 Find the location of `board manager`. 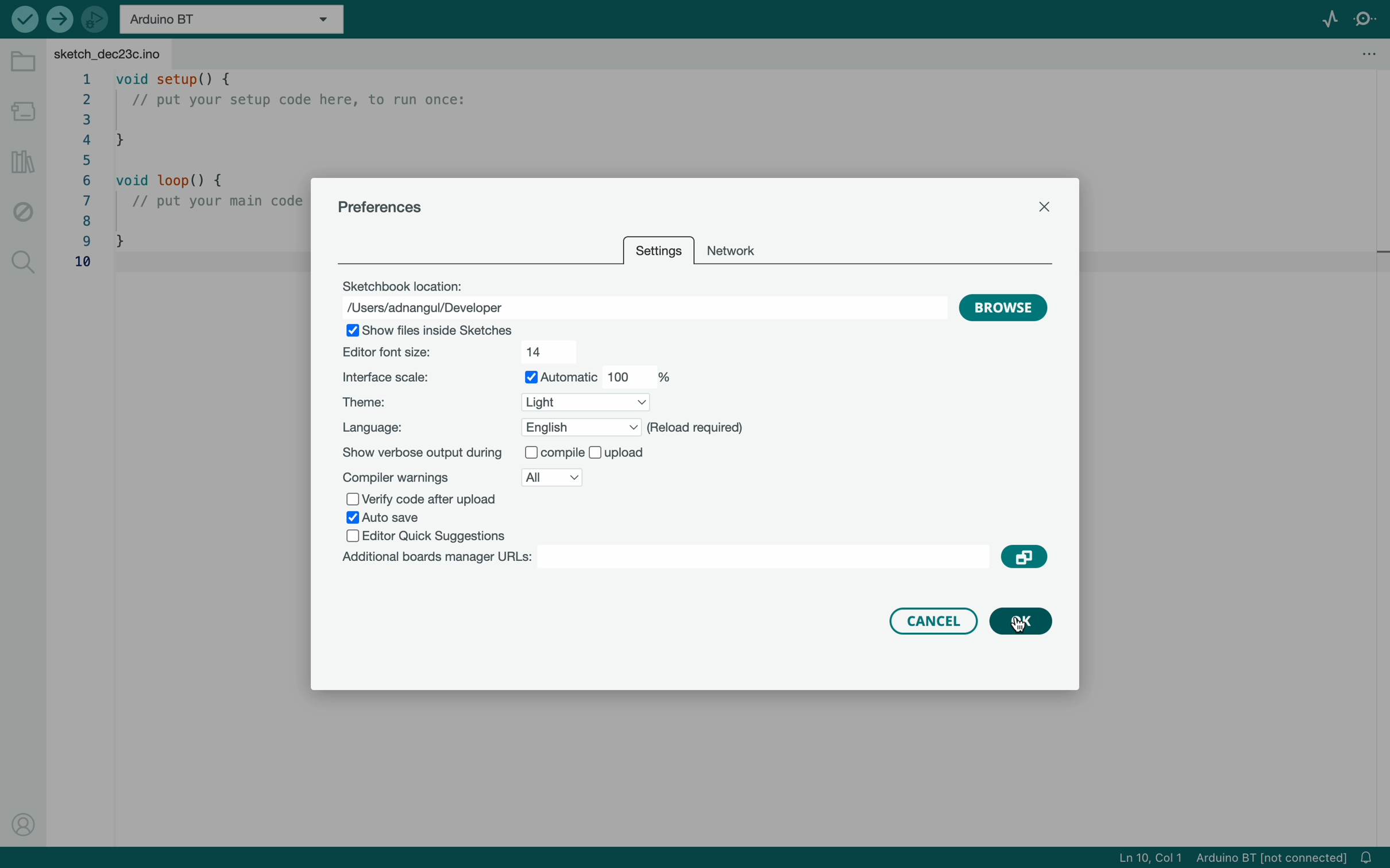

board manager is located at coordinates (24, 111).